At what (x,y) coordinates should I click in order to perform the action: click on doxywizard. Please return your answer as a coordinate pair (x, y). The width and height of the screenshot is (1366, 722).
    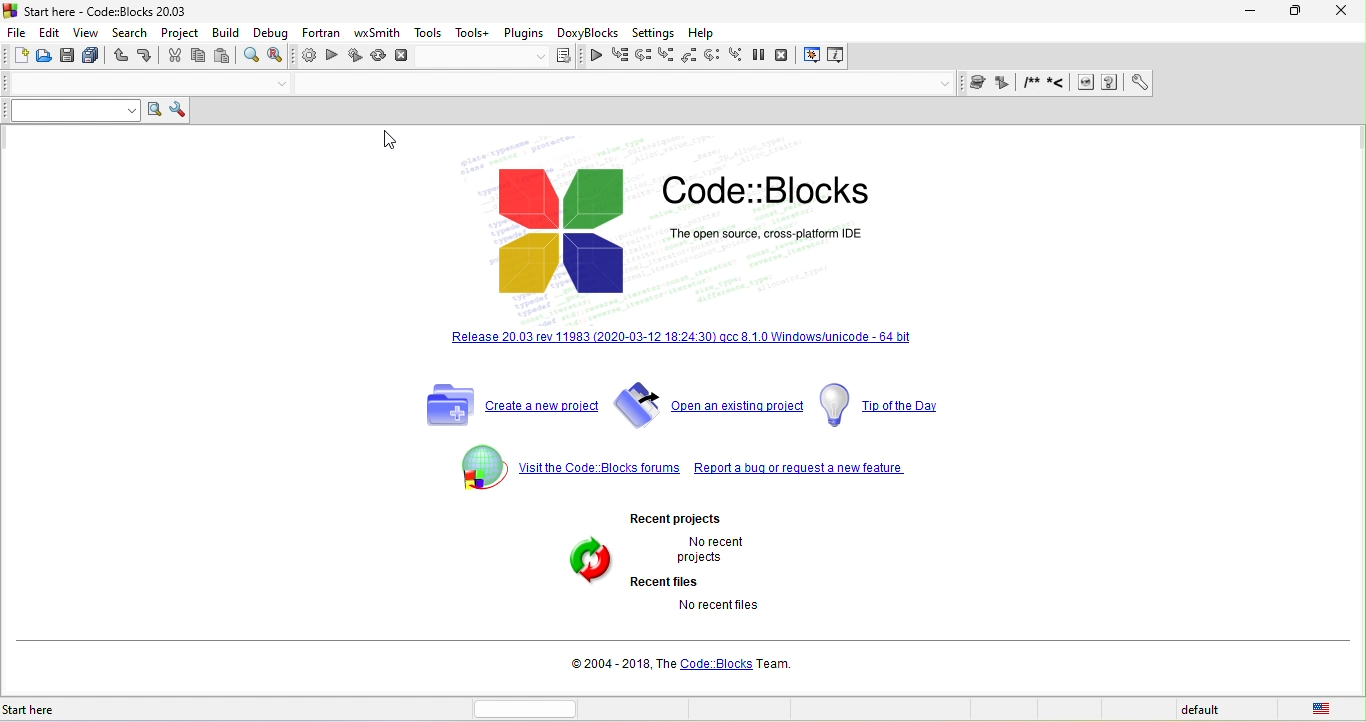
    Looking at the image, I should click on (1136, 81).